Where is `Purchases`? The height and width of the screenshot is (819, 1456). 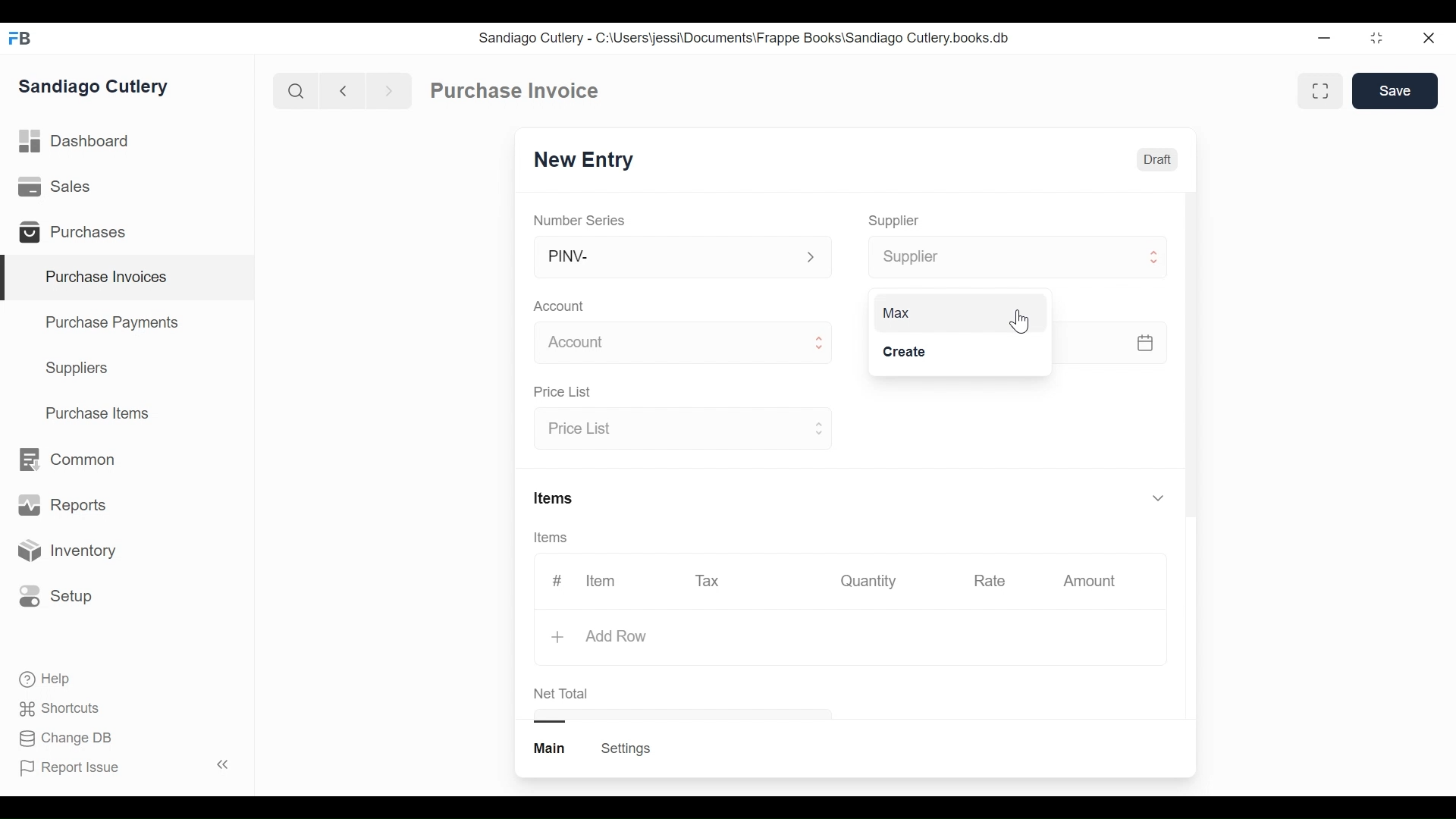 Purchases is located at coordinates (79, 234).